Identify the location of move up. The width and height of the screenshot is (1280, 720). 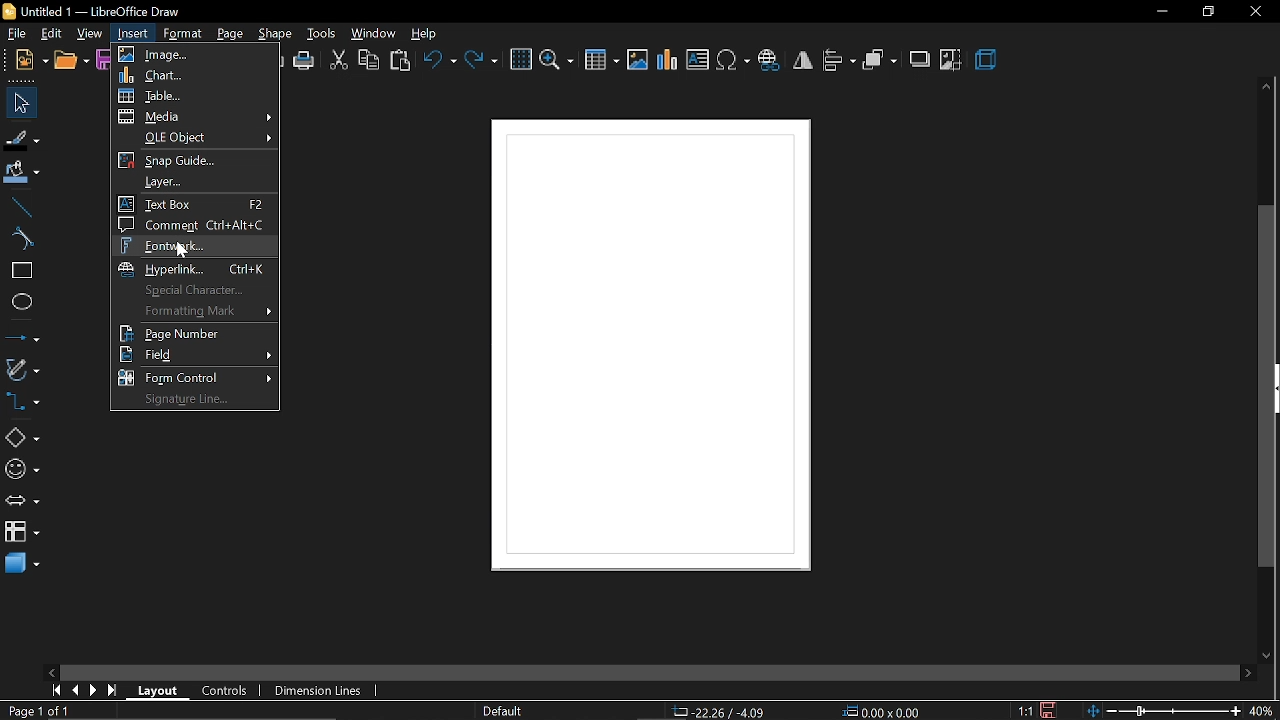
(1268, 88).